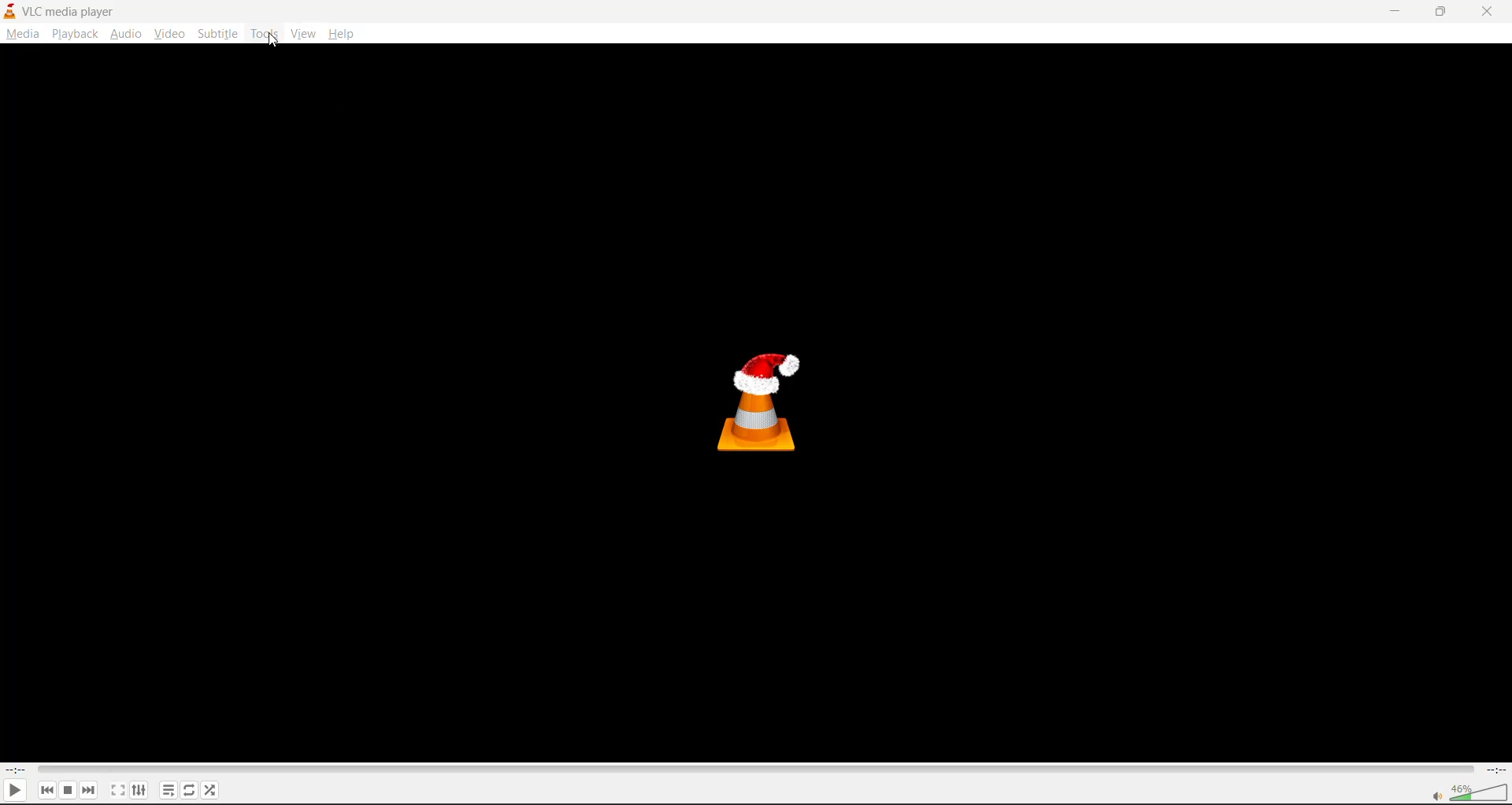 The image size is (1512, 805). What do you see at coordinates (1495, 769) in the screenshot?
I see `total track time` at bounding box center [1495, 769].